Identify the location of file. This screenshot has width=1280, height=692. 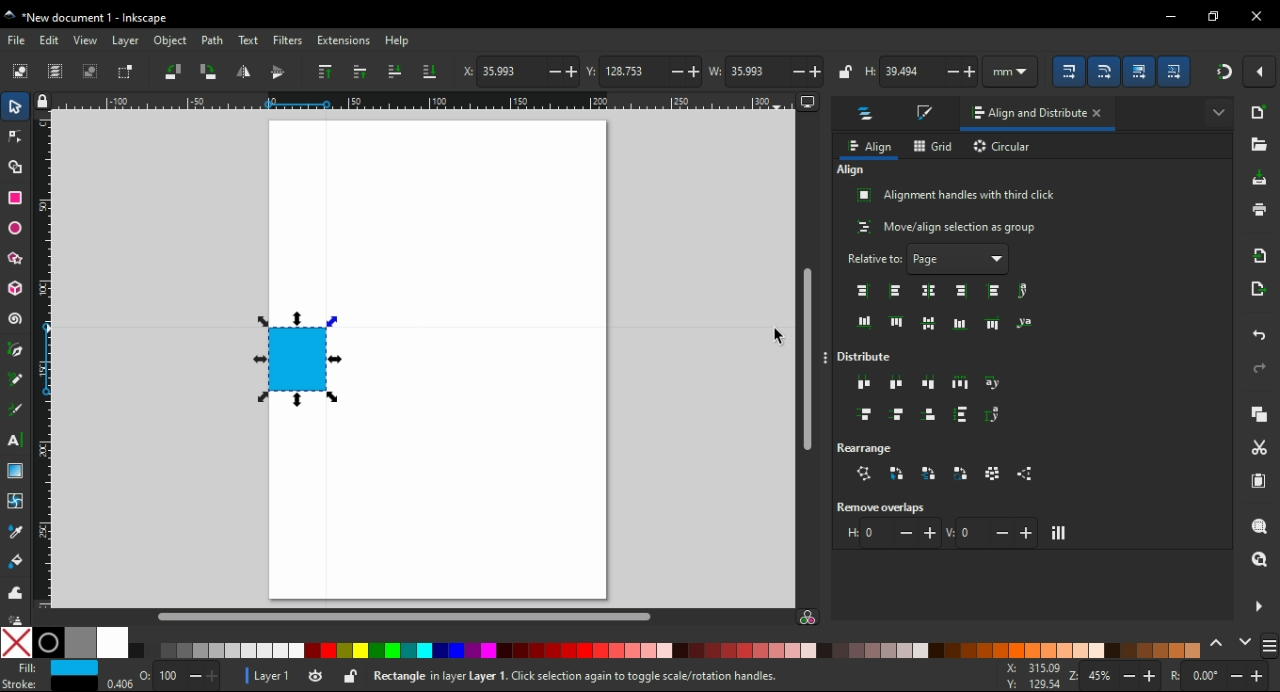
(19, 41).